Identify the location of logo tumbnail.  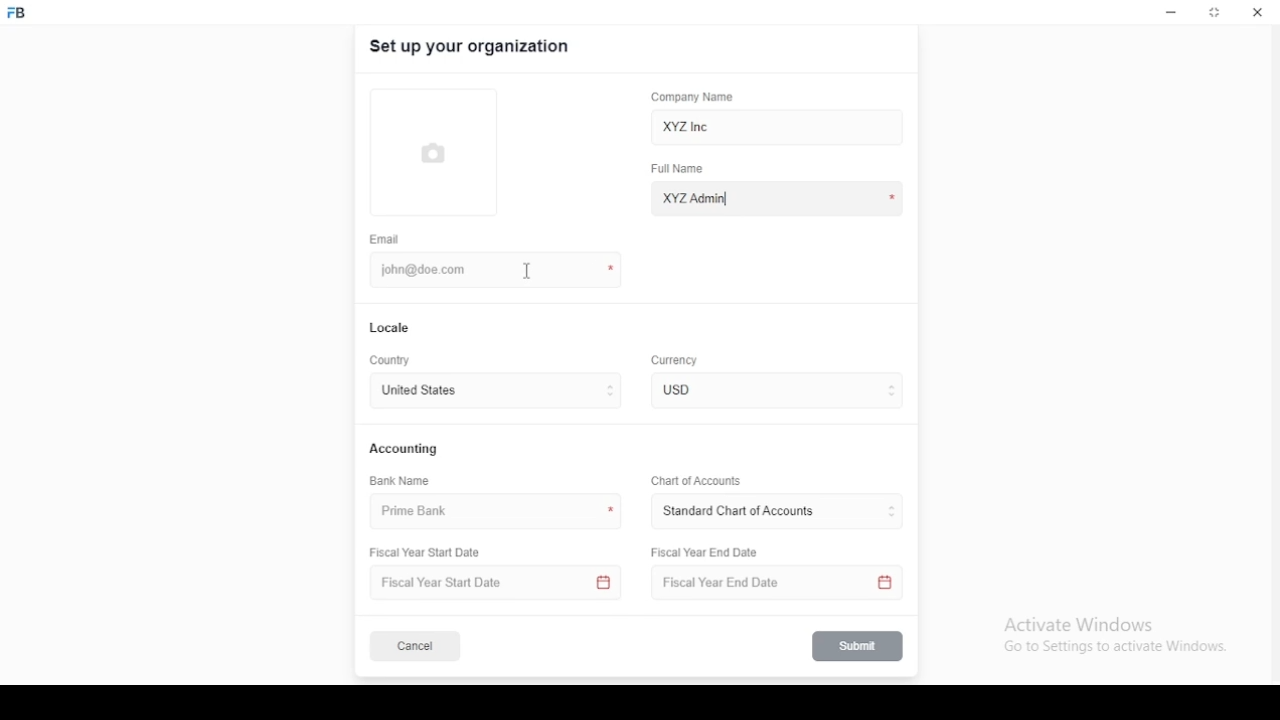
(434, 153).